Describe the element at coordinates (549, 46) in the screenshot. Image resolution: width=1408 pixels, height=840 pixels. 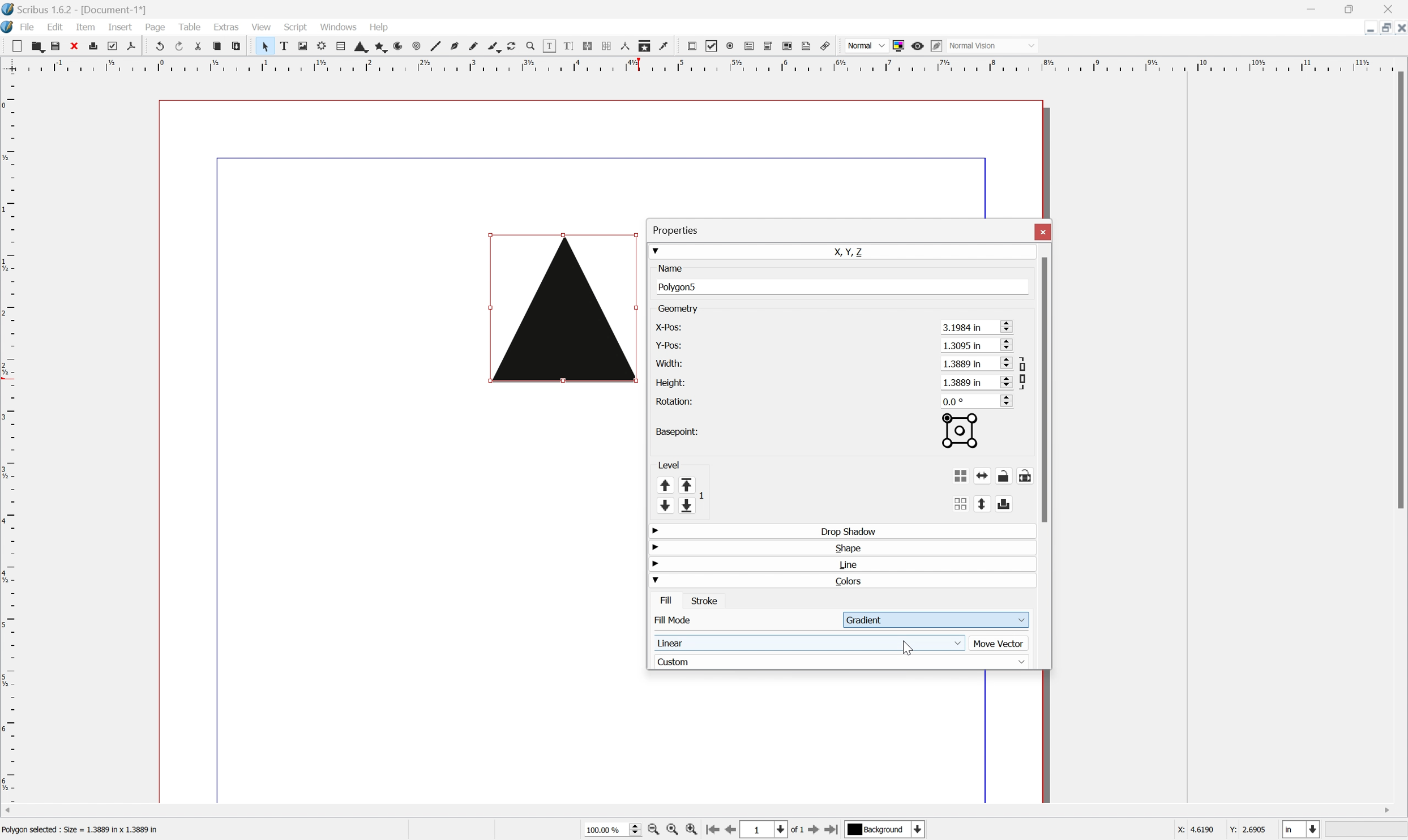
I see `Edit contents of frame` at that location.